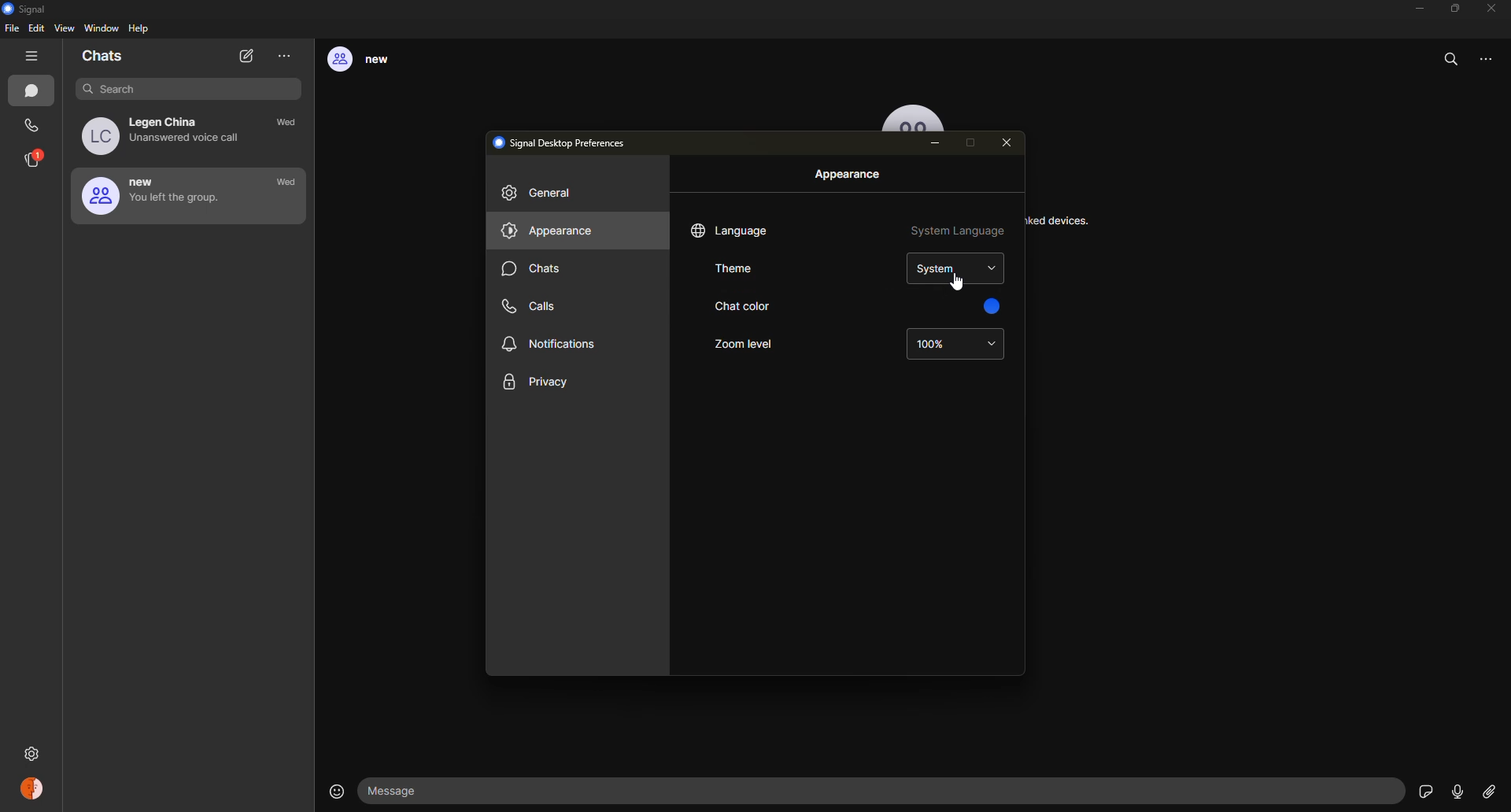 Image resolution: width=1511 pixels, height=812 pixels. What do you see at coordinates (33, 126) in the screenshot?
I see `calls` at bounding box center [33, 126].